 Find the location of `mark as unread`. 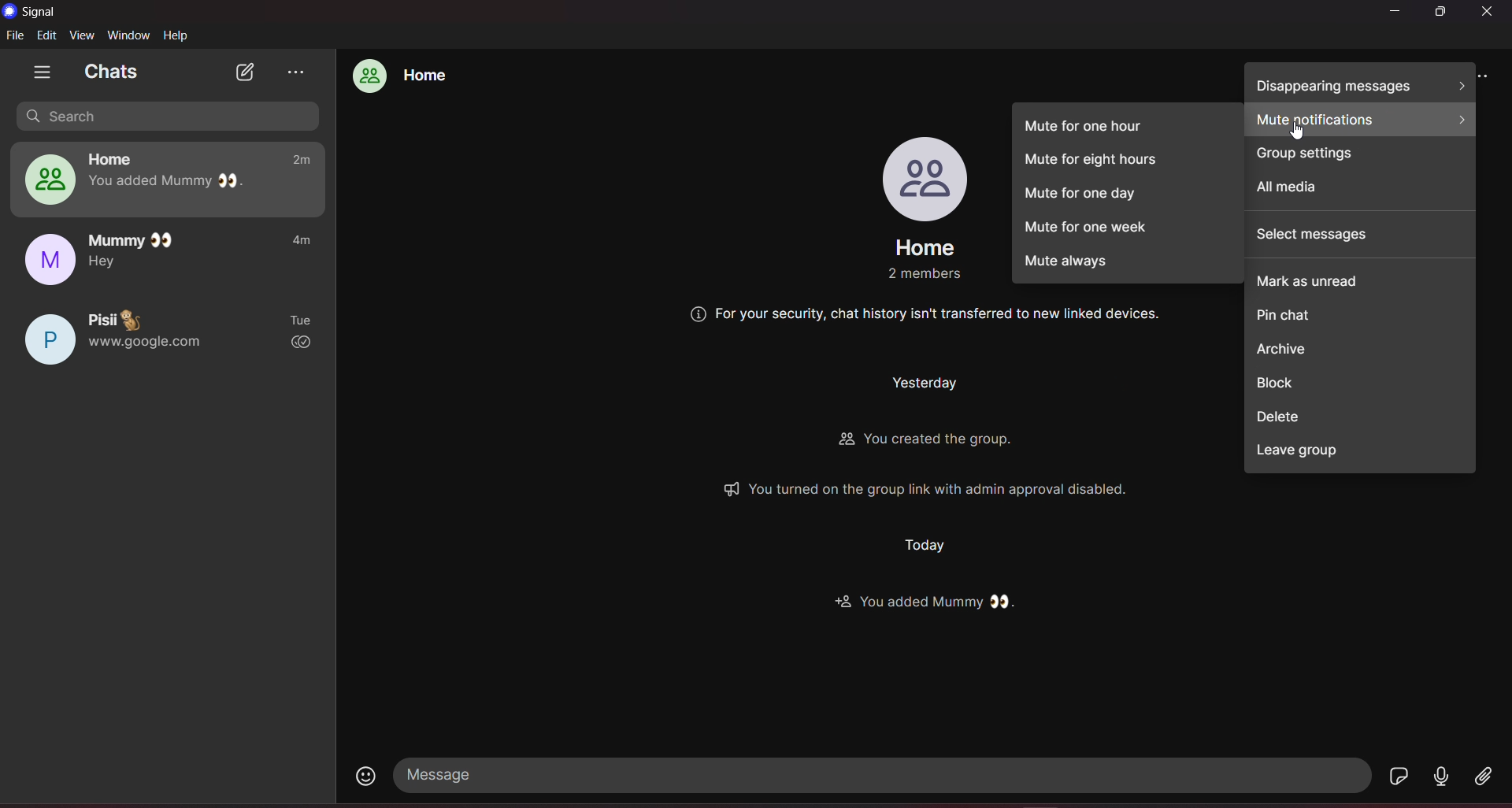

mark as unread is located at coordinates (1368, 274).